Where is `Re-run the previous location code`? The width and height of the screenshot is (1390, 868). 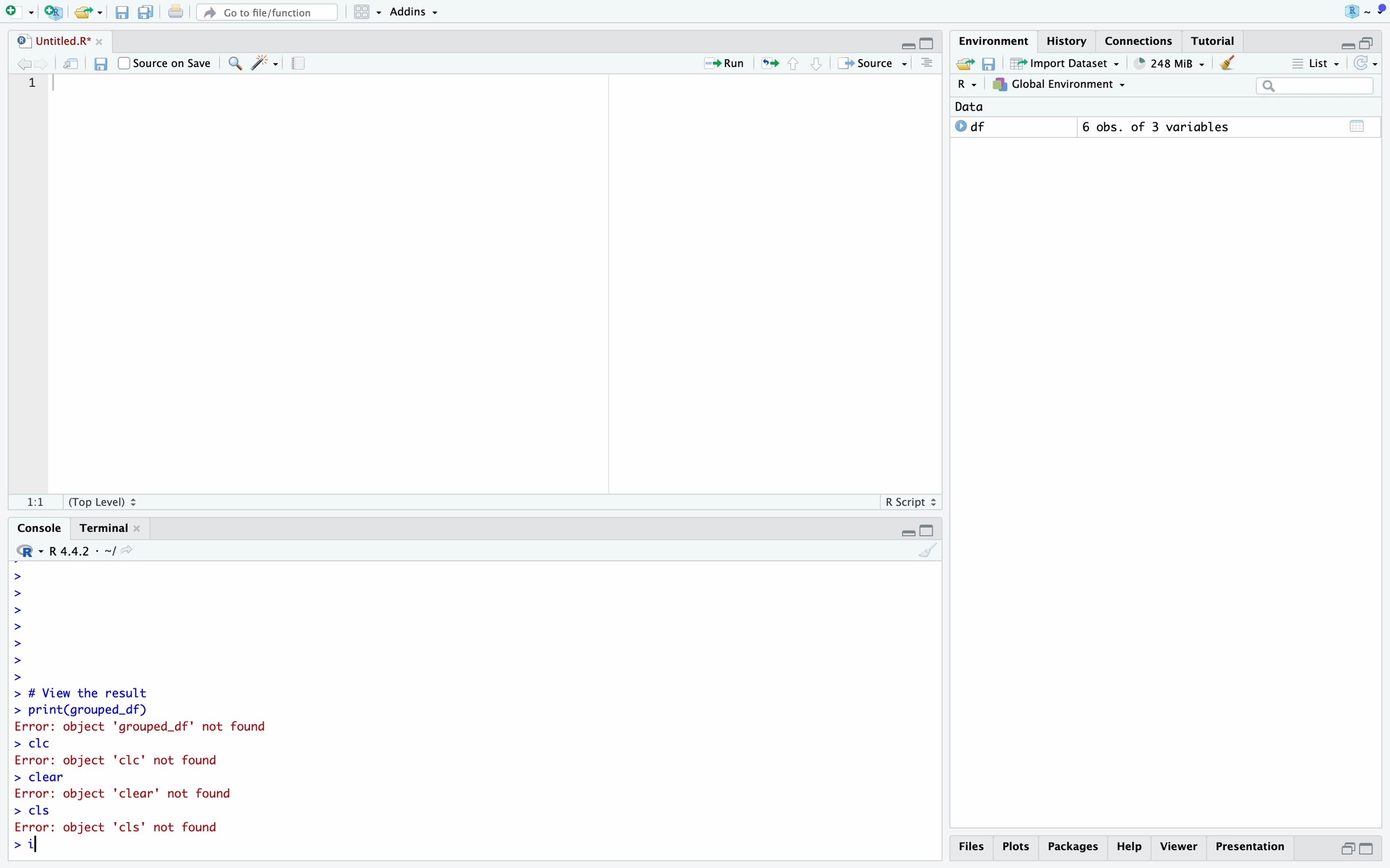 Re-run the previous location code is located at coordinates (769, 63).